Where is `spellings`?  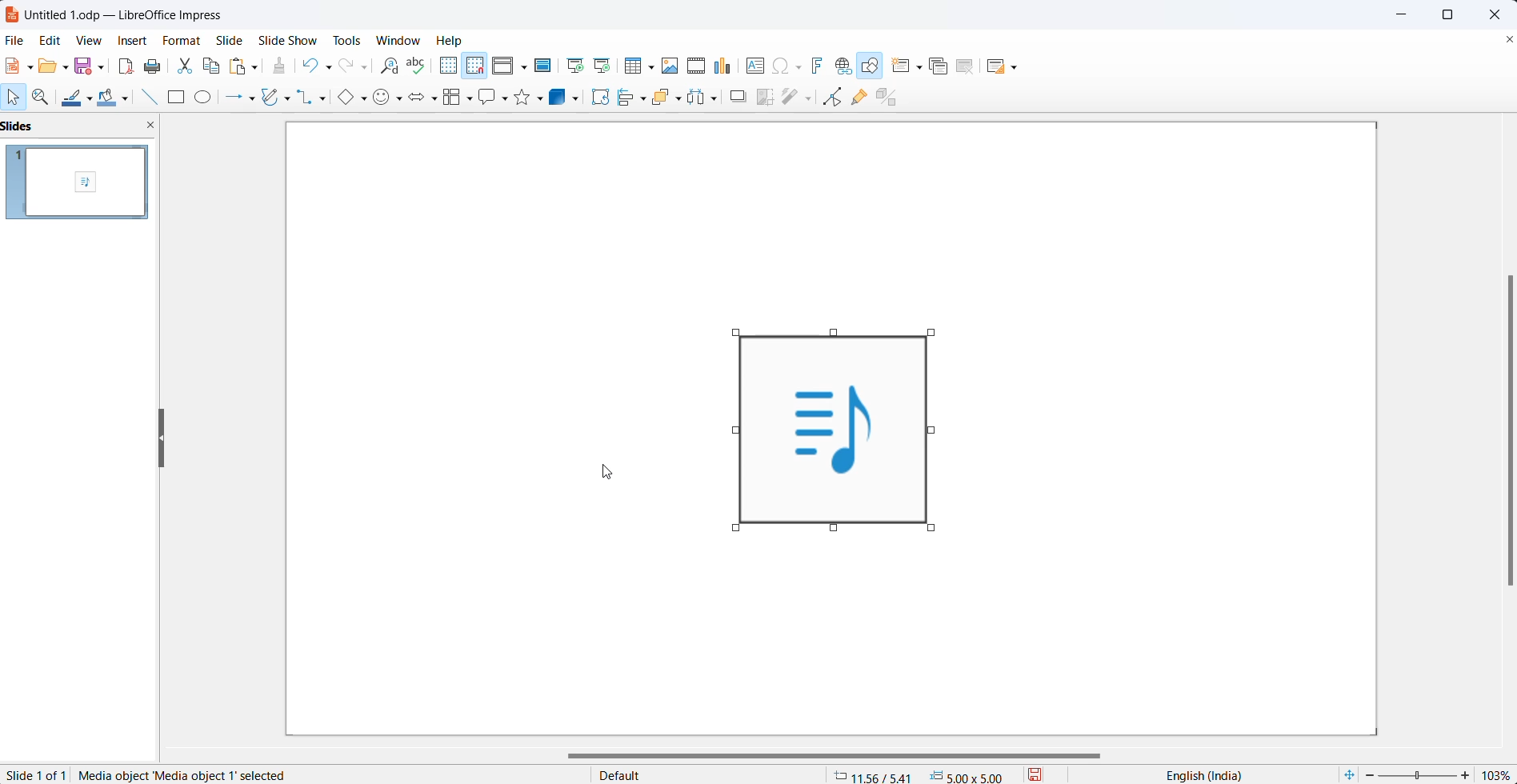
spellings is located at coordinates (417, 64).